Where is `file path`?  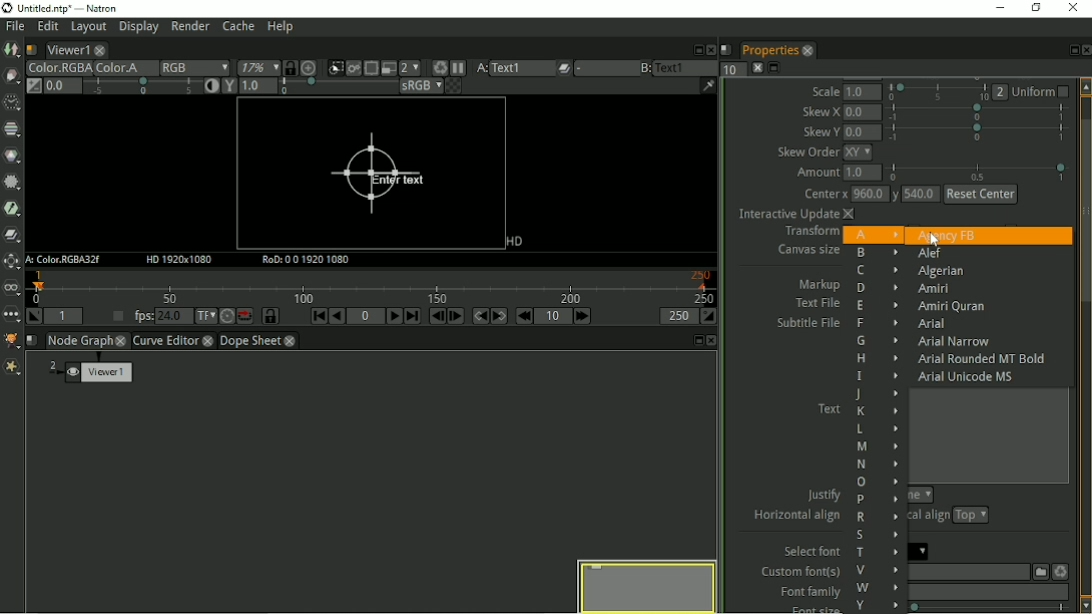 file path is located at coordinates (967, 572).